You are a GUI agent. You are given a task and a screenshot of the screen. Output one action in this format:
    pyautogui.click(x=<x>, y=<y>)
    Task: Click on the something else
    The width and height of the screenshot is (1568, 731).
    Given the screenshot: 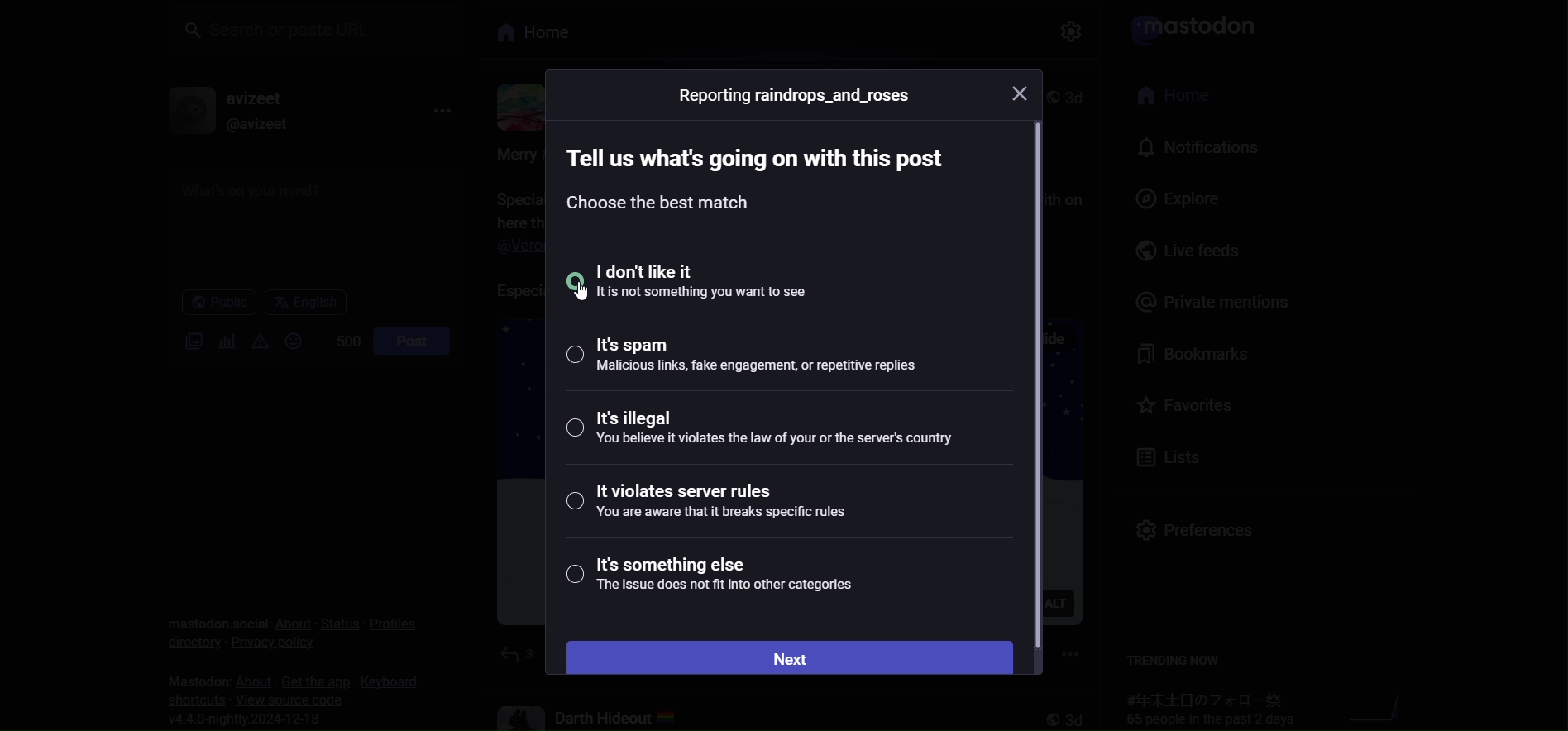 What is the action you would take?
    pyautogui.click(x=711, y=576)
    